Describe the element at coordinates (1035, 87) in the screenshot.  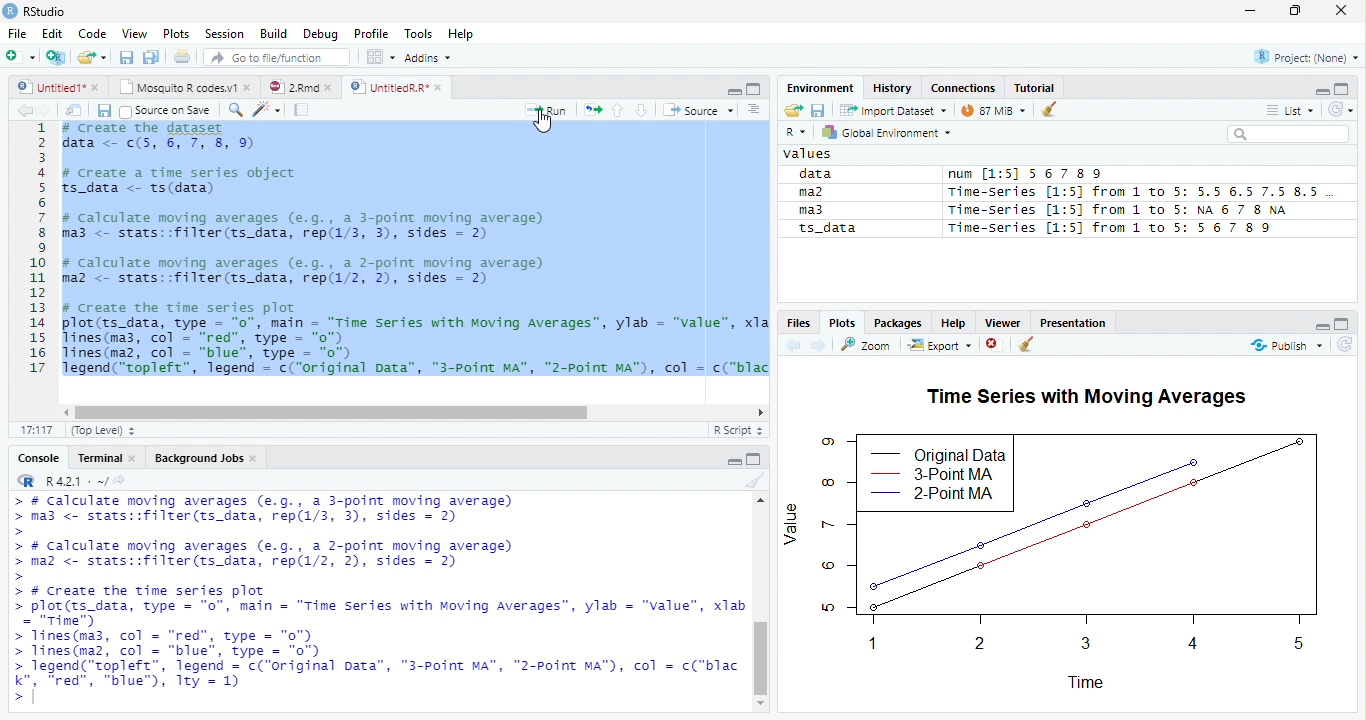
I see `Tutorial` at that location.